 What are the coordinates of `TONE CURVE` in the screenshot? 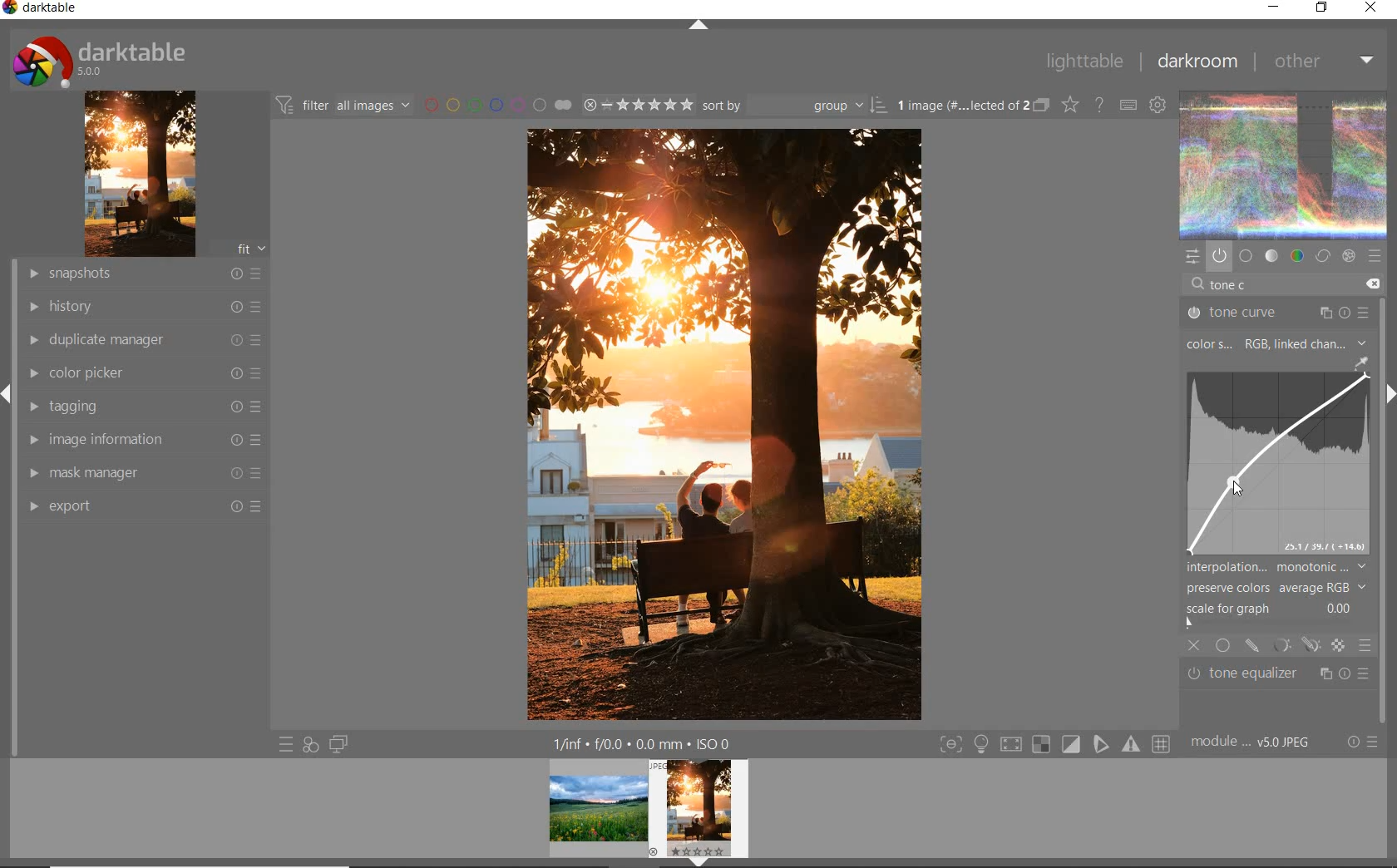 It's located at (1278, 311).